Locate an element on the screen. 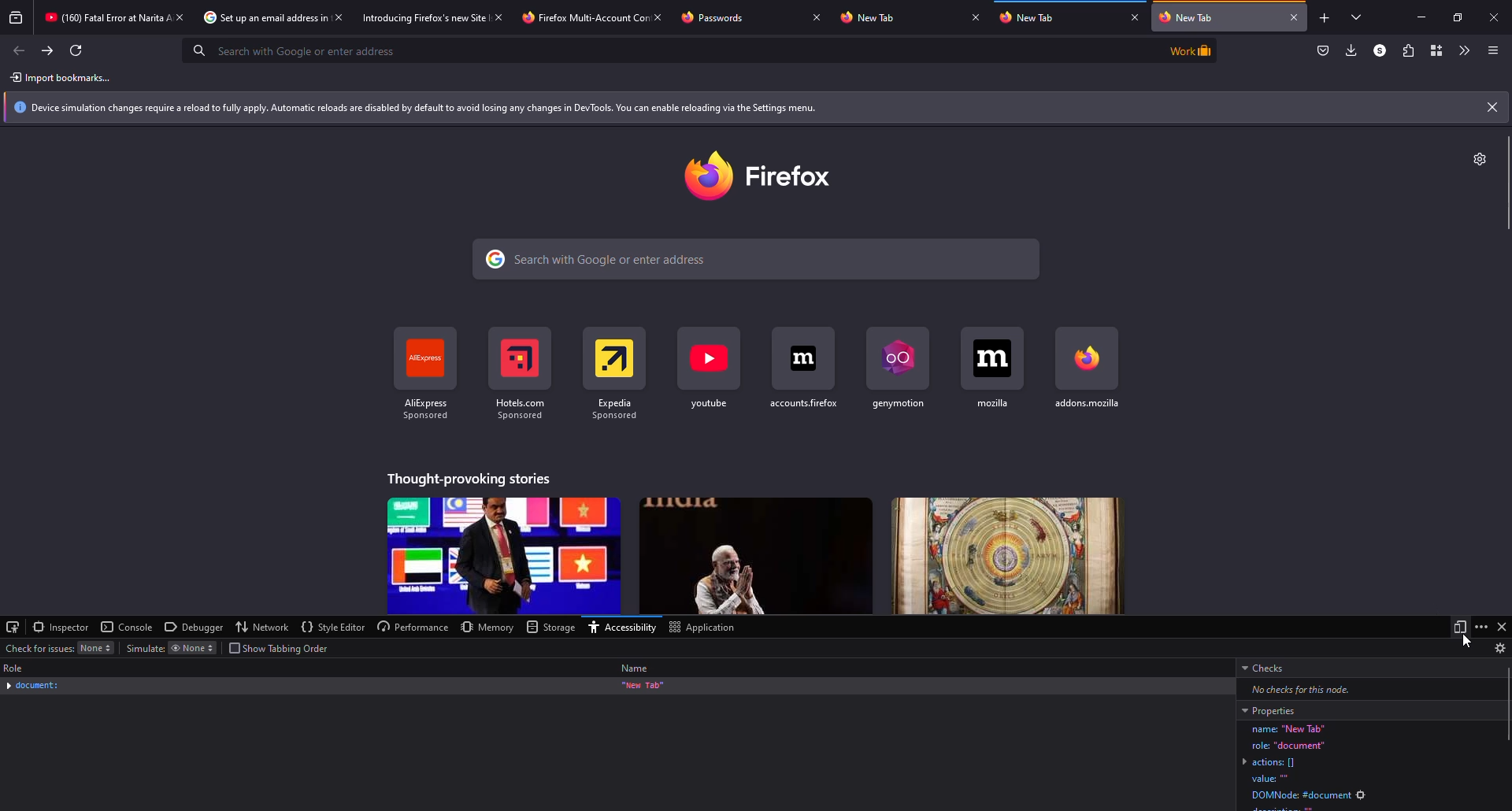 This screenshot has height=811, width=1512. tab is located at coordinates (871, 18).